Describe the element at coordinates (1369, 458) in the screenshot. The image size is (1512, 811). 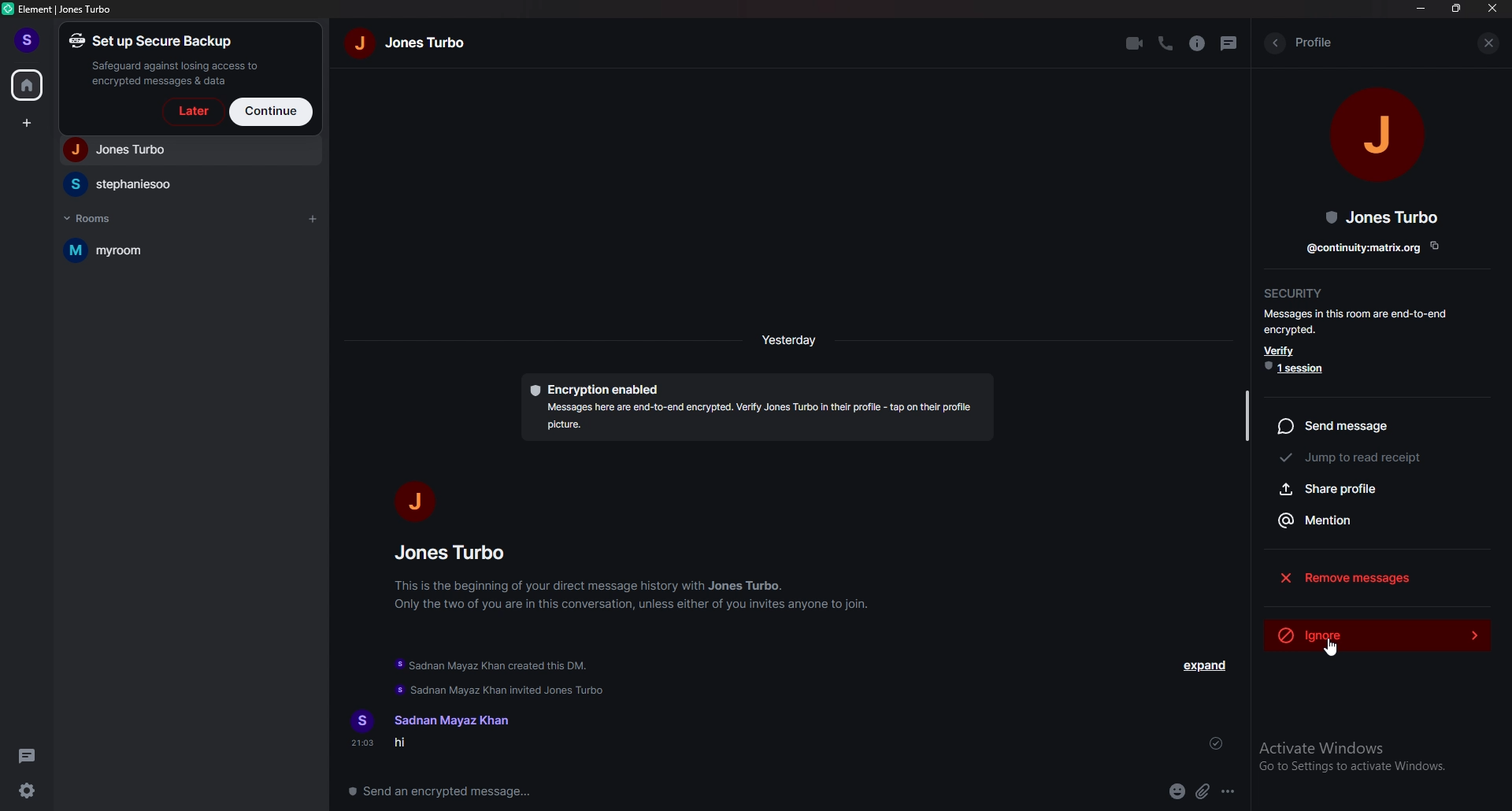
I see `jump to read receipt` at that location.